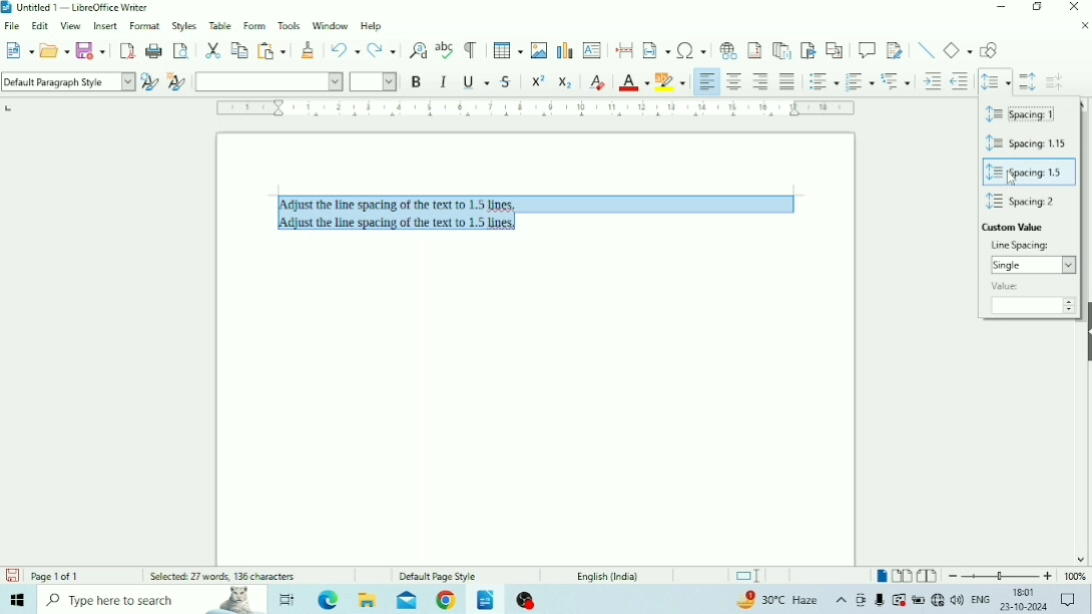  Describe the element at coordinates (925, 50) in the screenshot. I see `Insert Line` at that location.